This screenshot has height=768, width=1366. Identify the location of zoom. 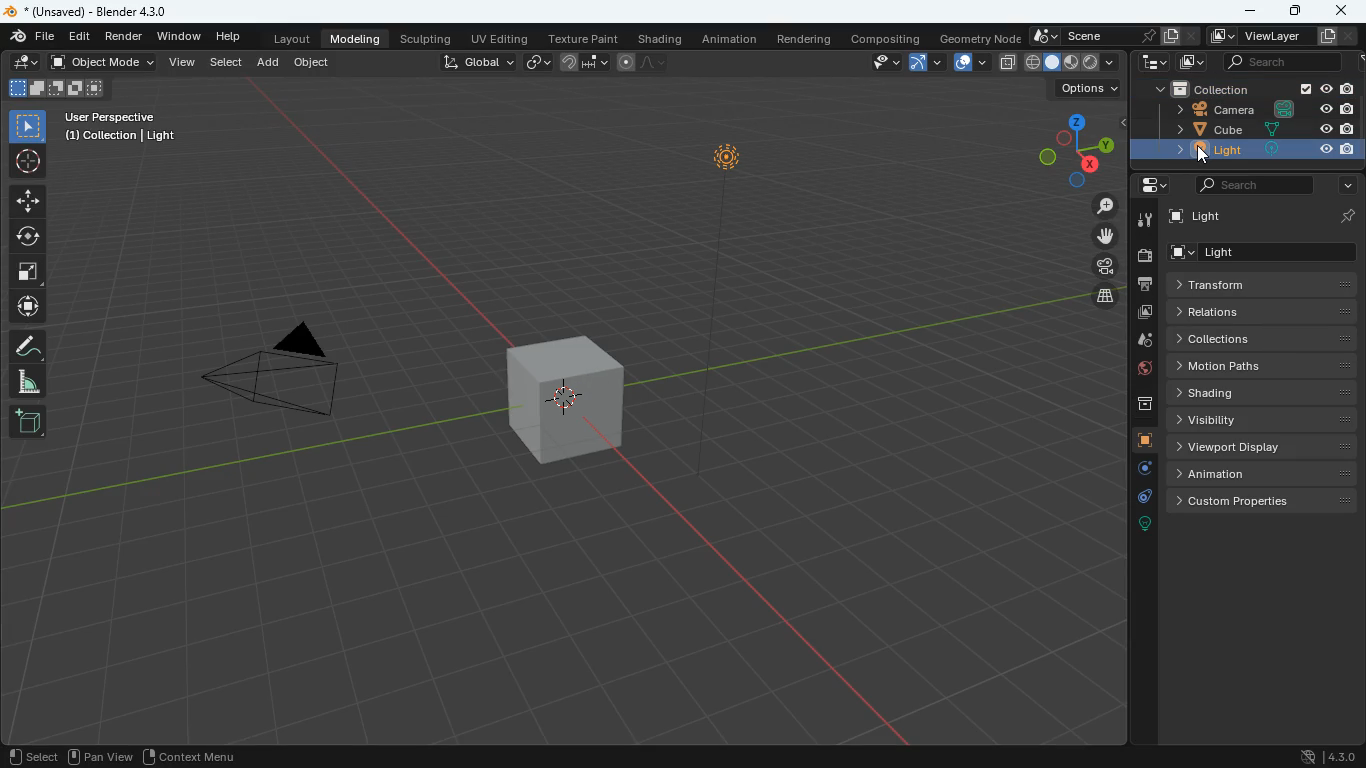
(1105, 205).